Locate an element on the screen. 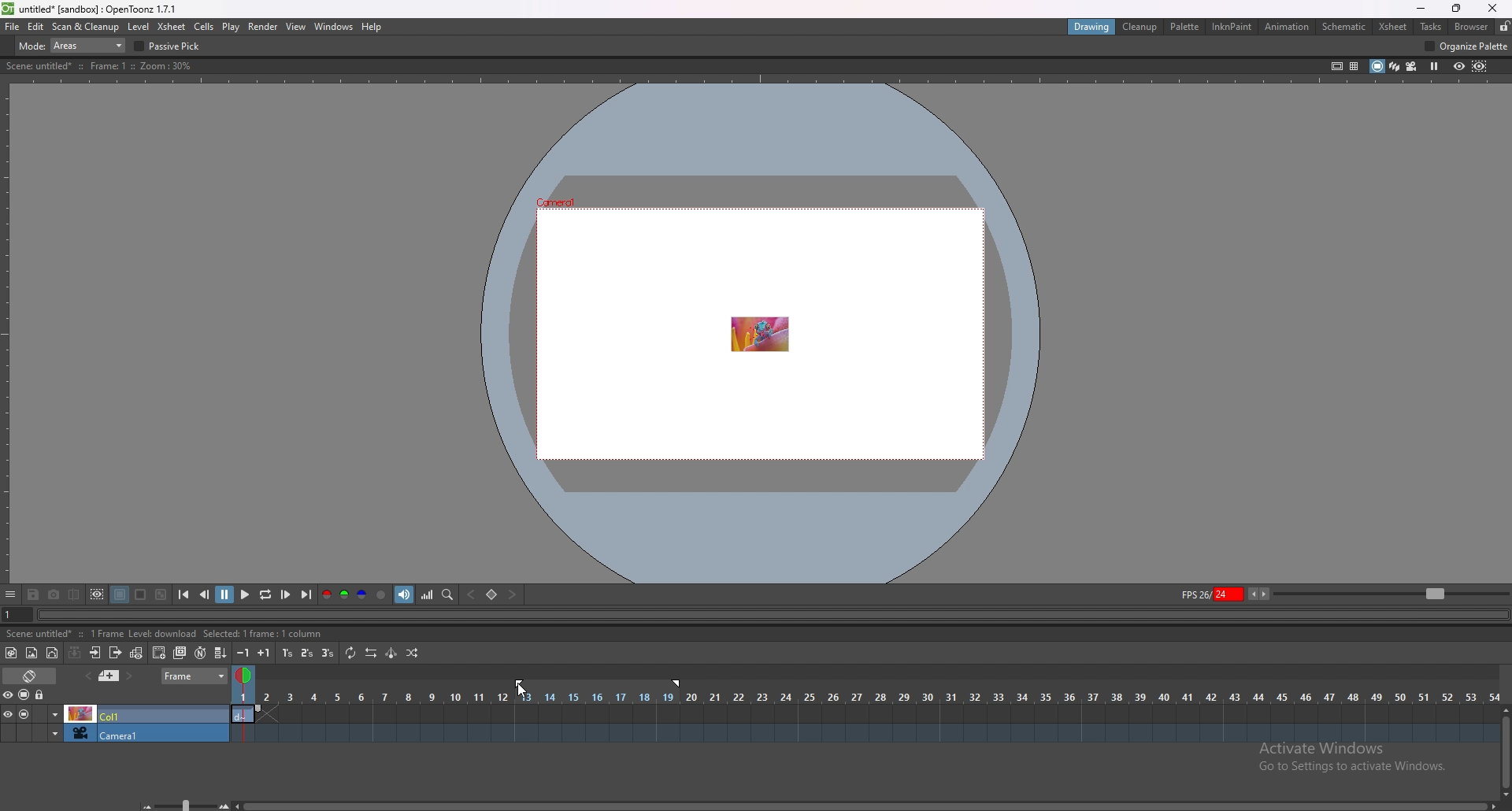 The image size is (1512, 811). reframe on 1s is located at coordinates (287, 654).